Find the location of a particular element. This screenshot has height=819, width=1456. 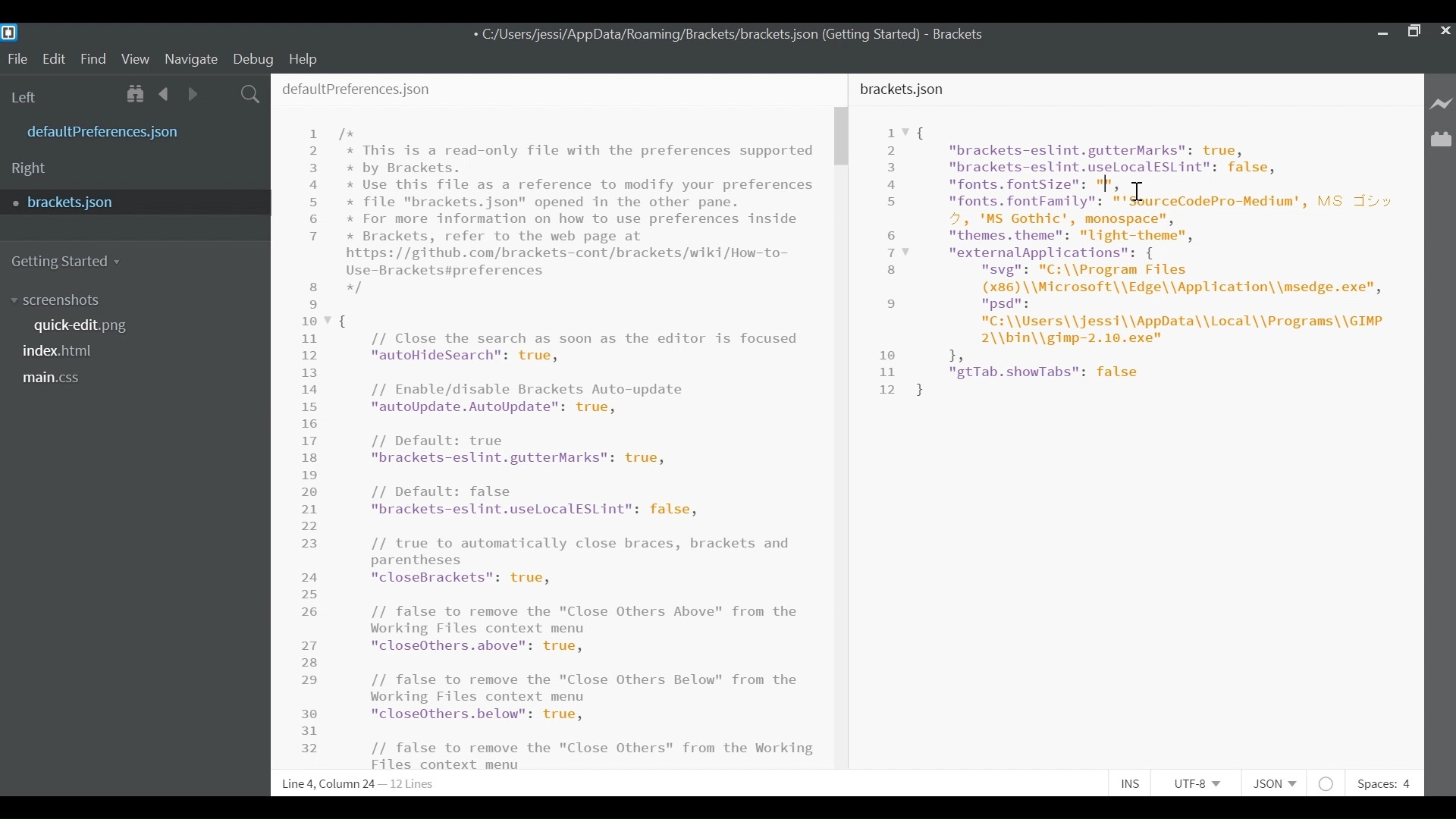

Left is located at coordinates (27, 98).